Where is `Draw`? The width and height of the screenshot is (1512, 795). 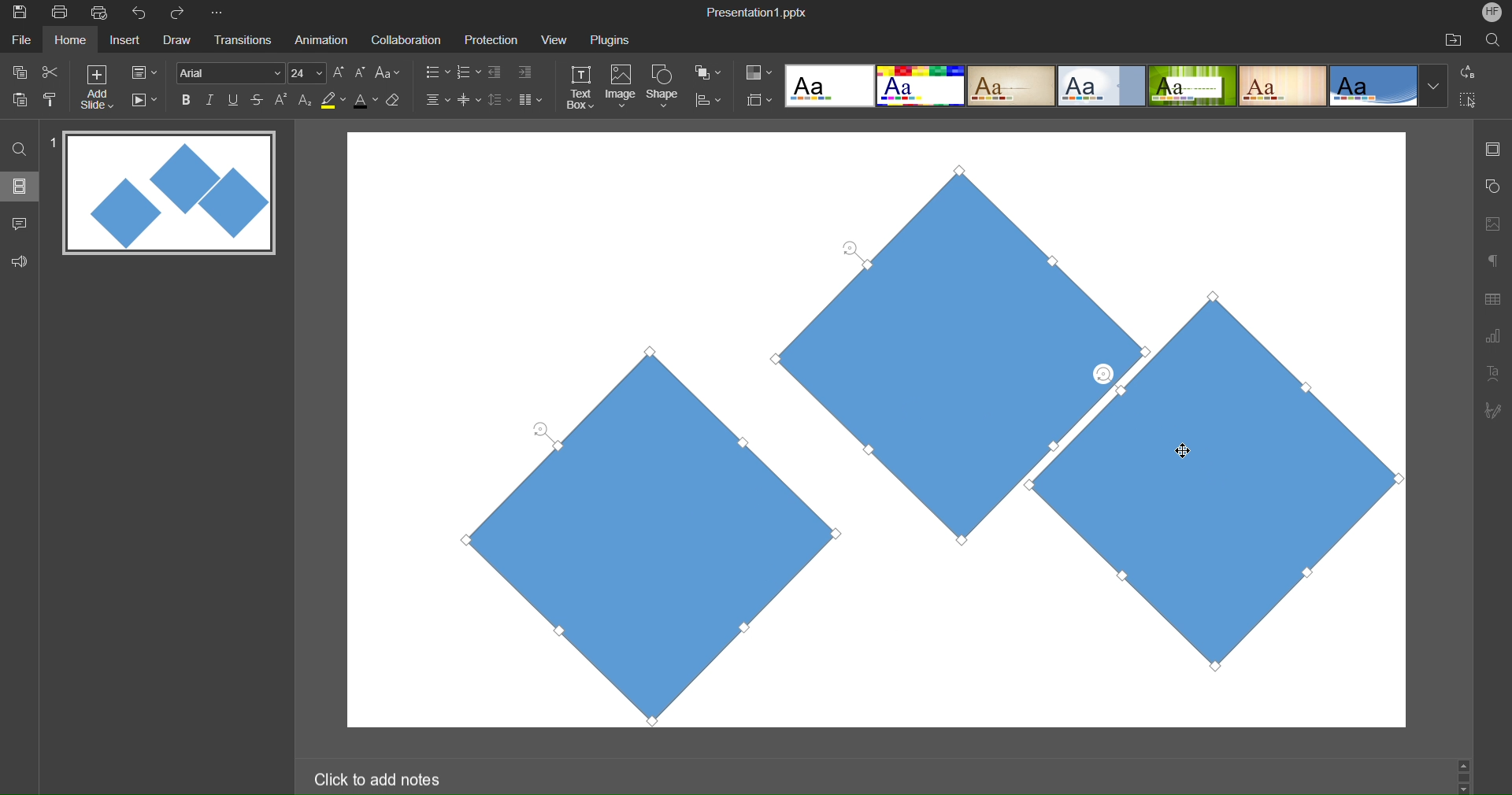 Draw is located at coordinates (176, 41).